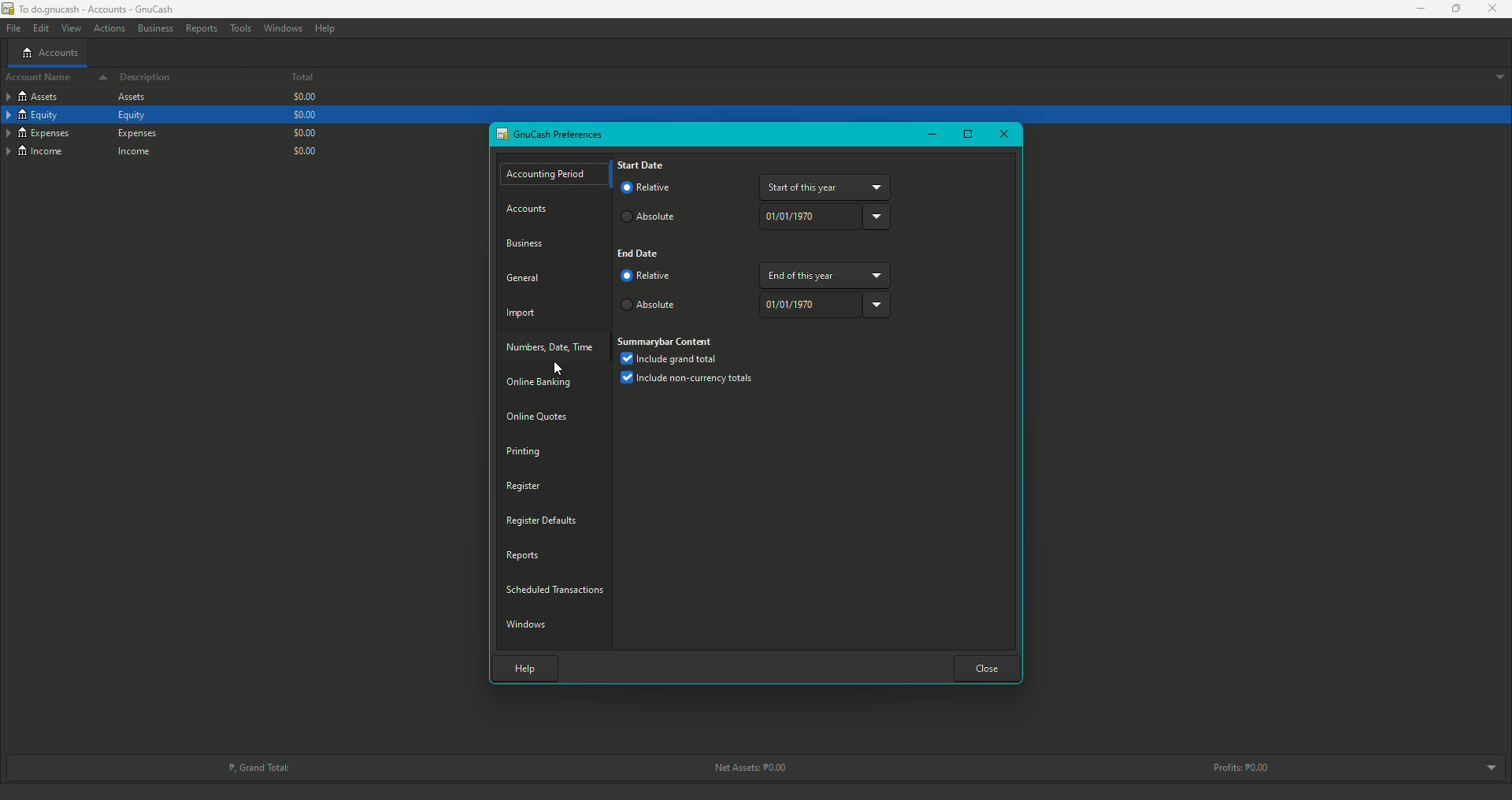 This screenshot has width=1512, height=800. What do you see at coordinates (543, 417) in the screenshot?
I see `Online Quotes` at bounding box center [543, 417].